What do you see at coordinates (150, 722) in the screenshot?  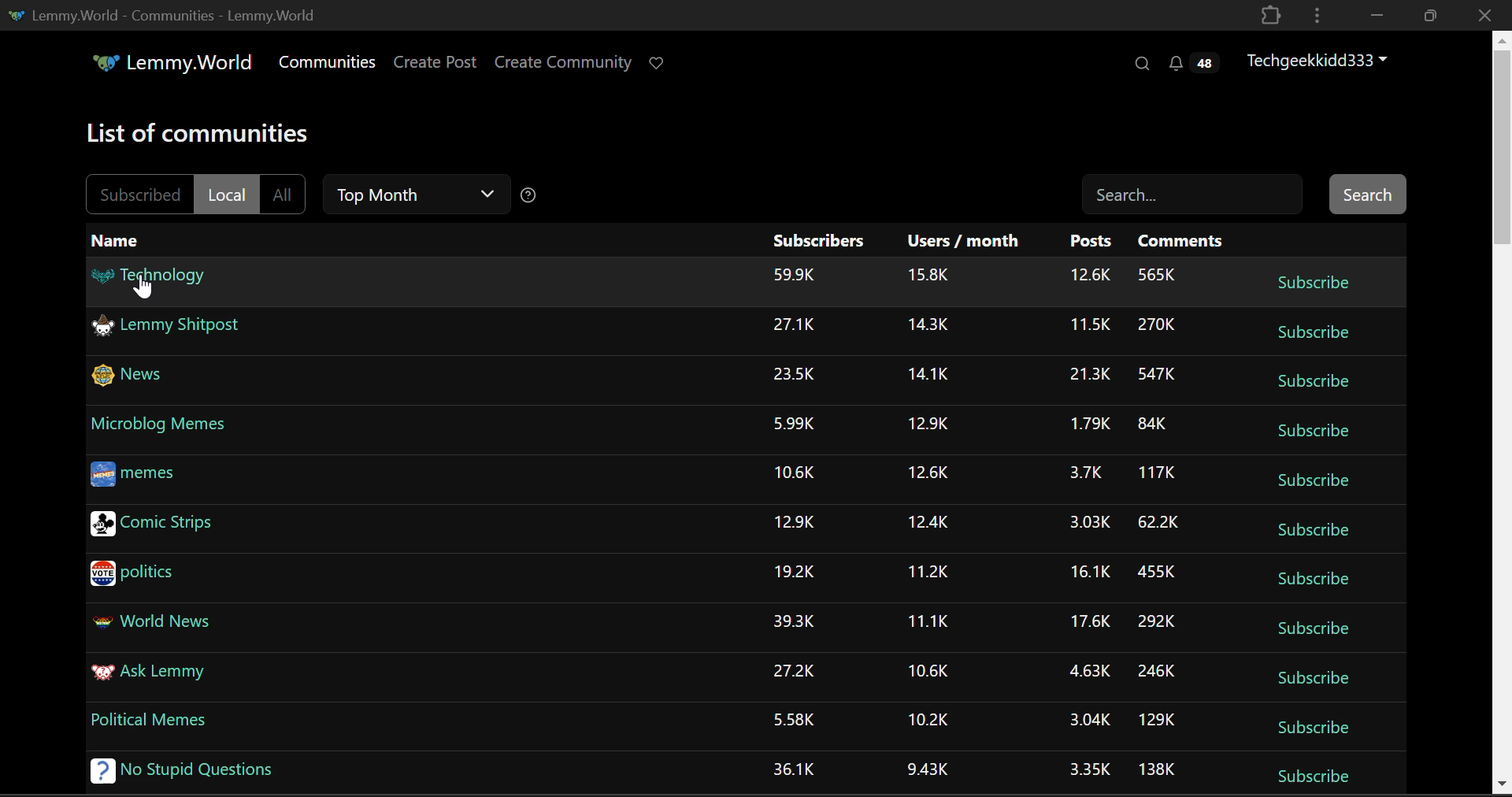 I see `Political Memes` at bounding box center [150, 722].